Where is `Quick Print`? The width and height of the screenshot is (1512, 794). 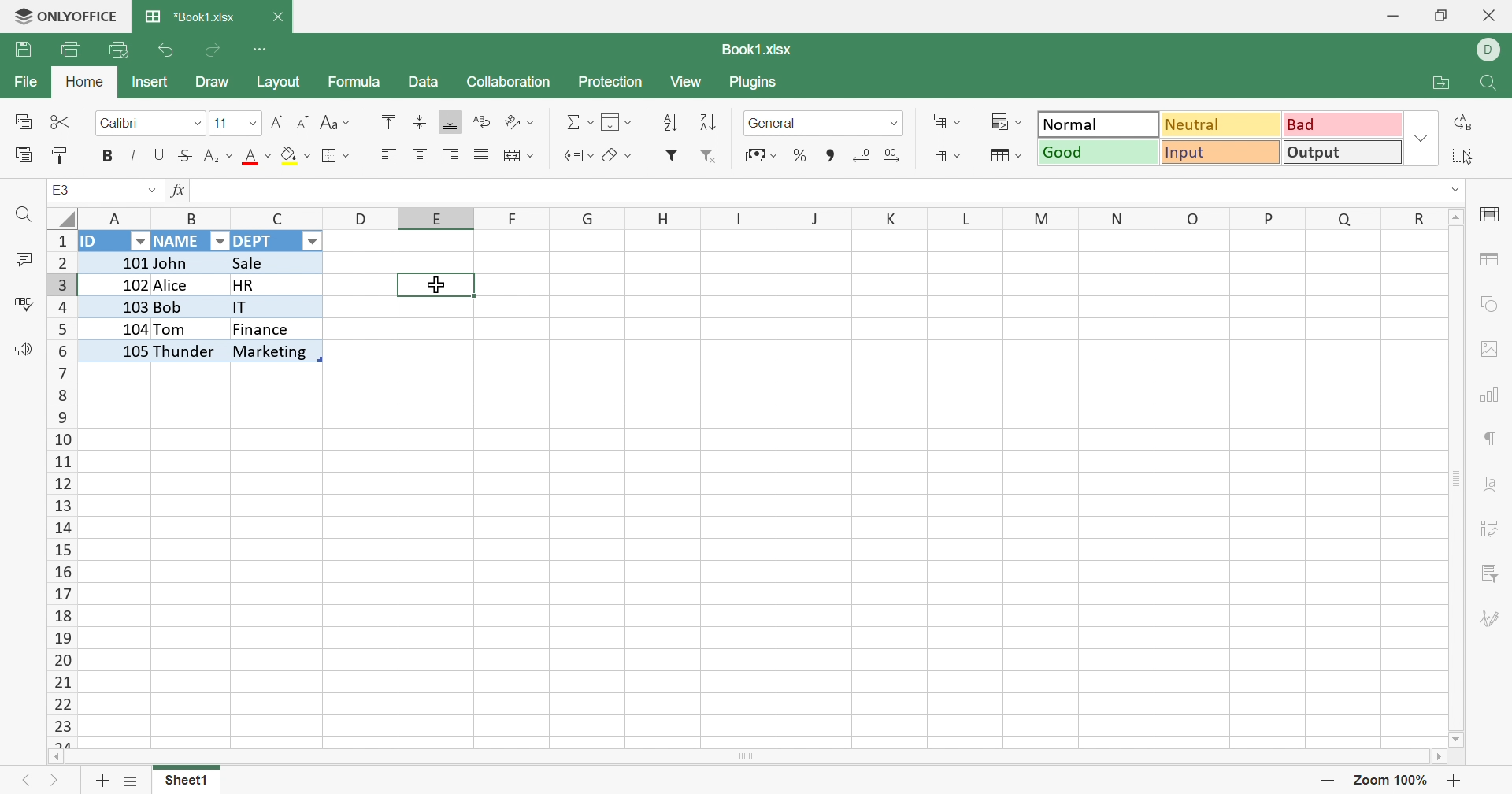 Quick Print is located at coordinates (117, 50).